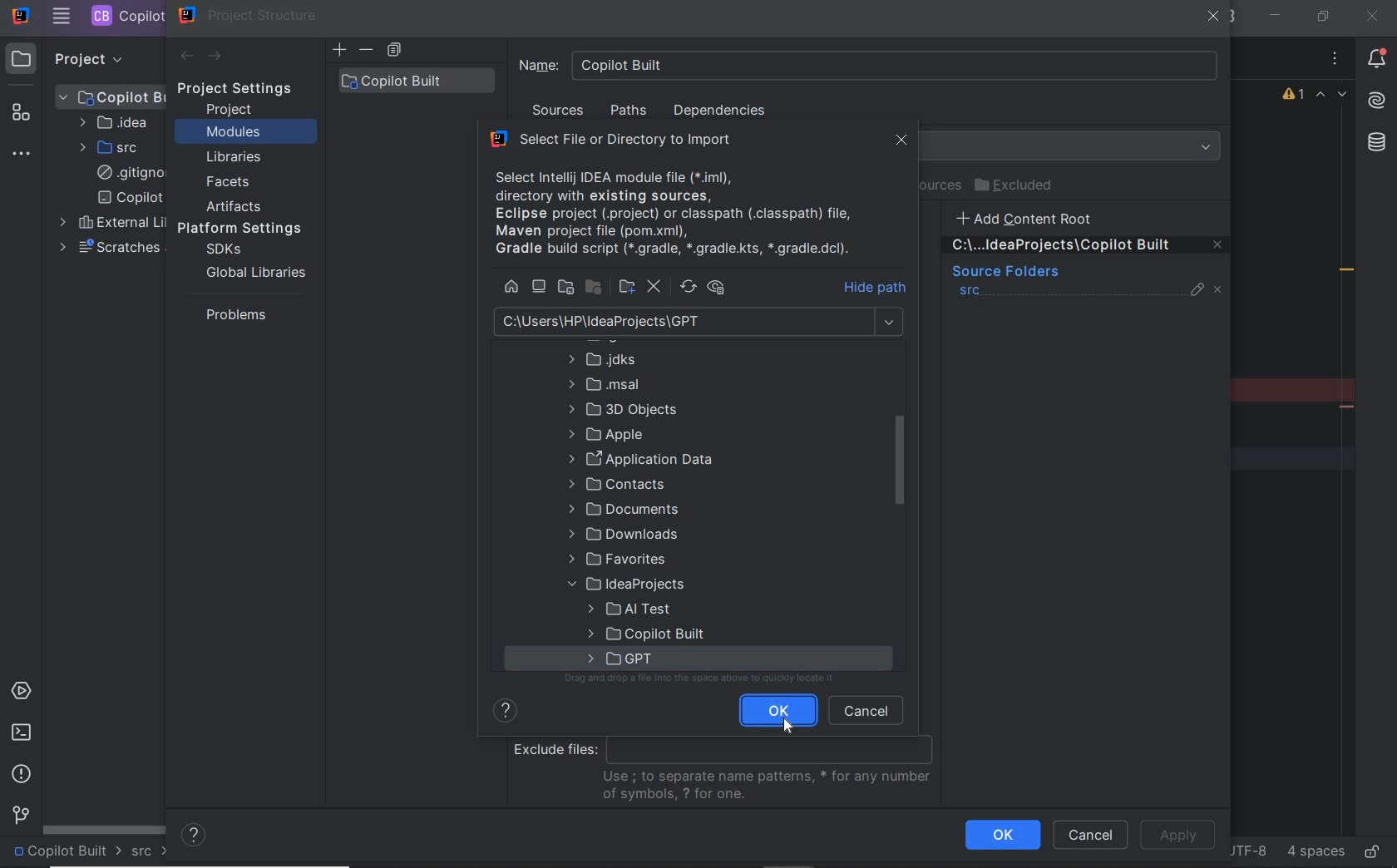 The width and height of the screenshot is (1397, 868). What do you see at coordinates (234, 158) in the screenshot?
I see `libraries` at bounding box center [234, 158].